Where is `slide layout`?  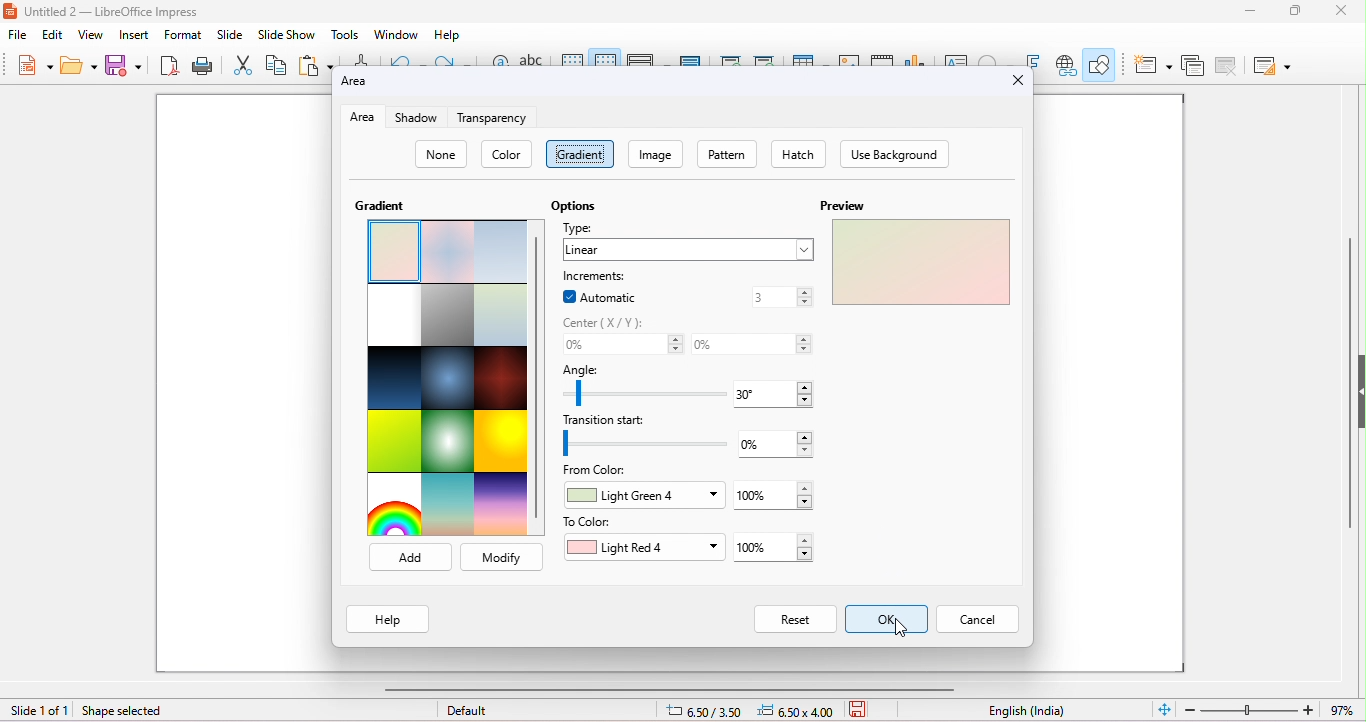 slide layout is located at coordinates (1274, 67).